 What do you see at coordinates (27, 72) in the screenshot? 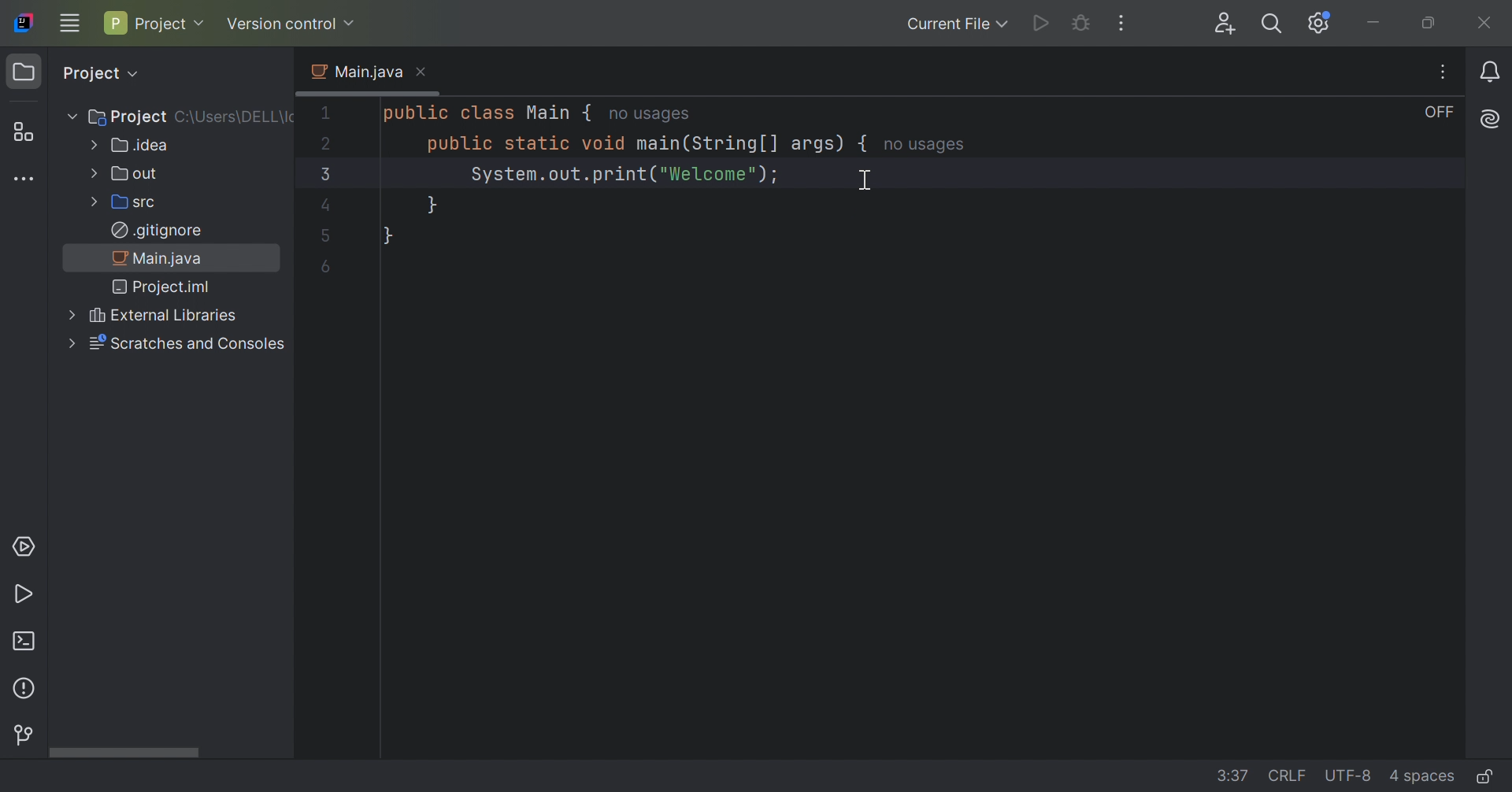
I see `Project` at bounding box center [27, 72].